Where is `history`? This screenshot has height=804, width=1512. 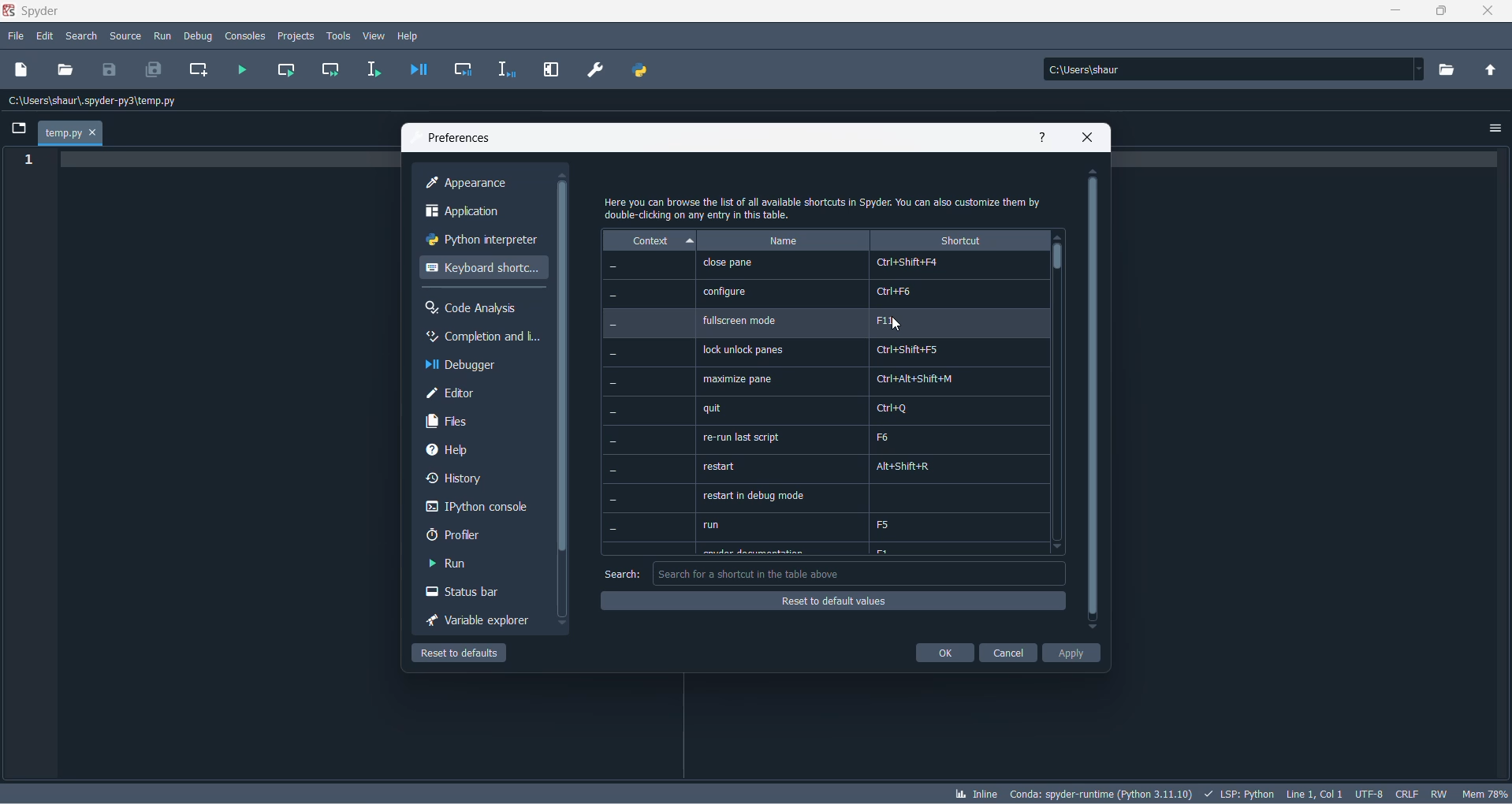
history is located at coordinates (476, 481).